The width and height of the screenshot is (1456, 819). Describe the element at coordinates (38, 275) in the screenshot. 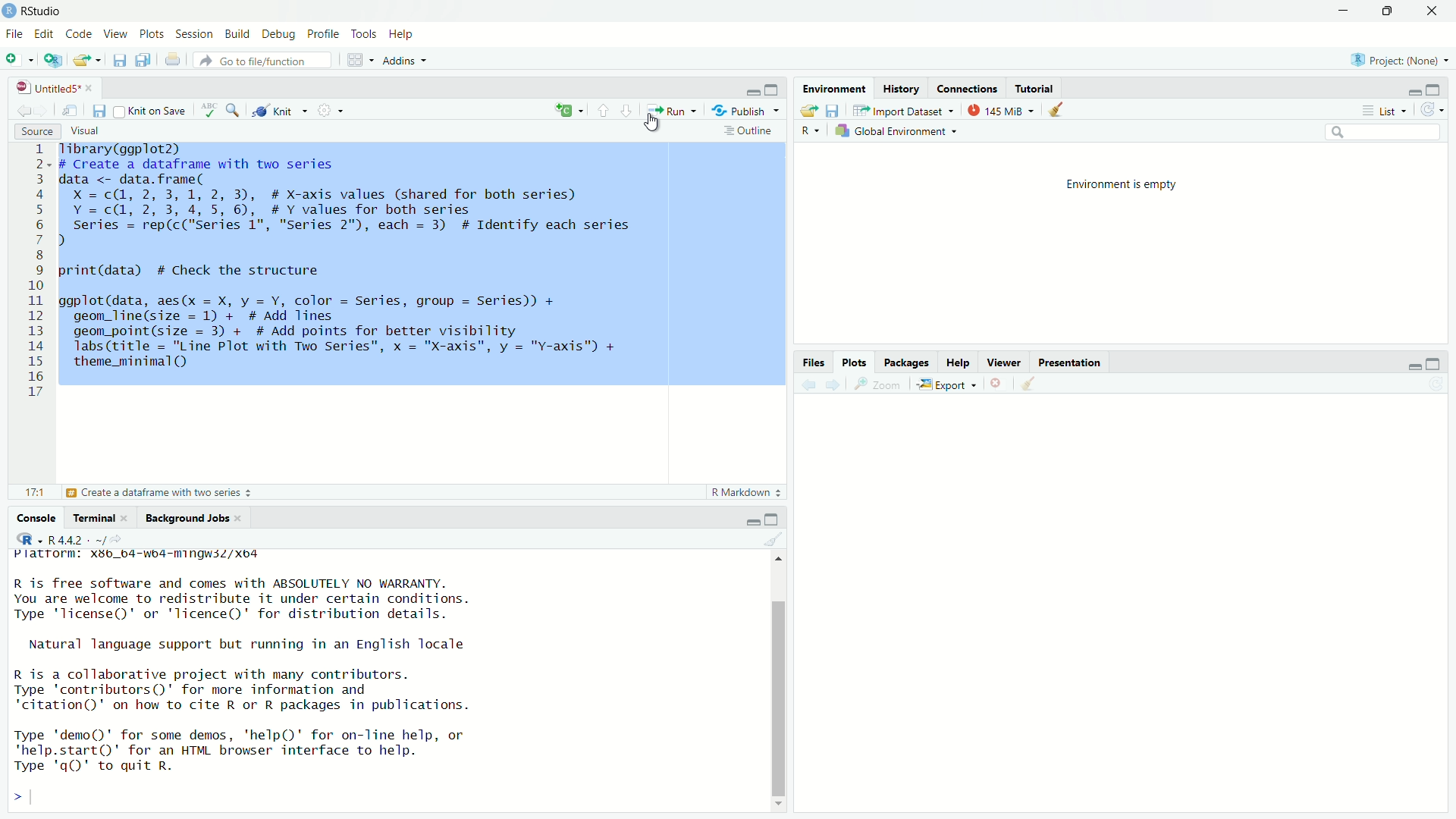

I see `1
2
3
4
5
6
7
8
9
10
ali
12
13
14
15
16
17` at that location.